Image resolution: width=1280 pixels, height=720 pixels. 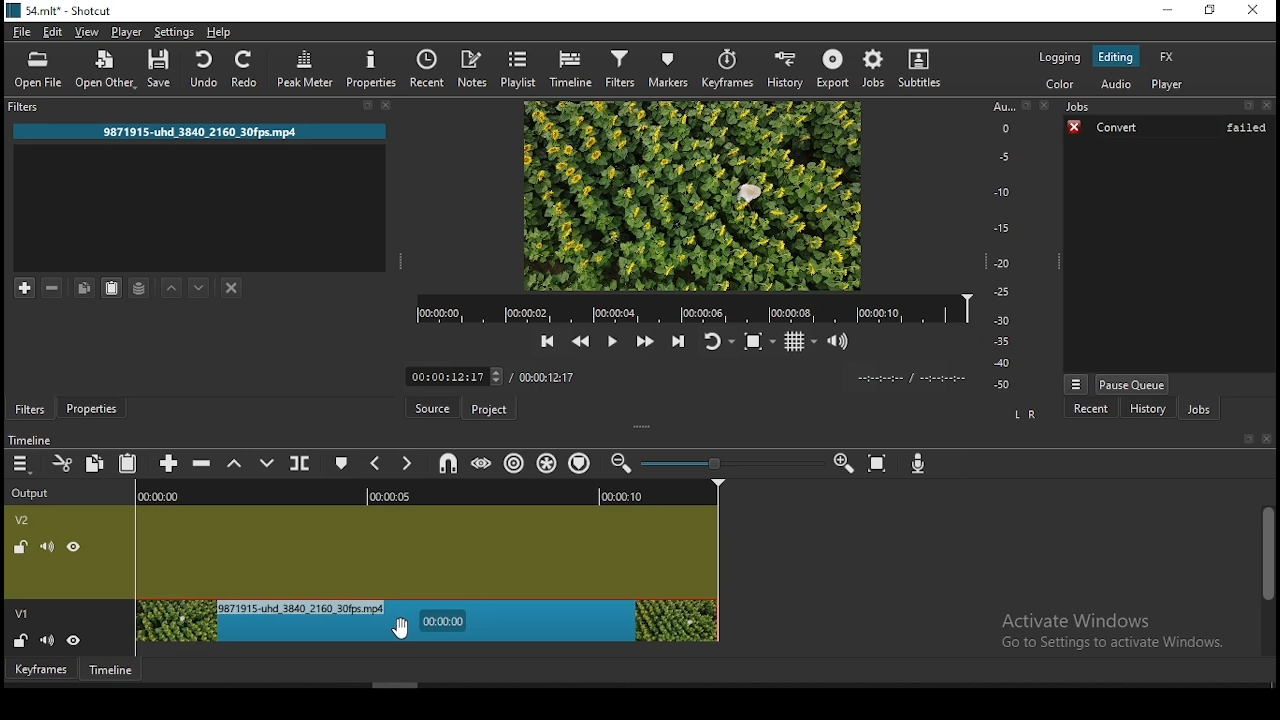 I want to click on save, so click(x=160, y=70).